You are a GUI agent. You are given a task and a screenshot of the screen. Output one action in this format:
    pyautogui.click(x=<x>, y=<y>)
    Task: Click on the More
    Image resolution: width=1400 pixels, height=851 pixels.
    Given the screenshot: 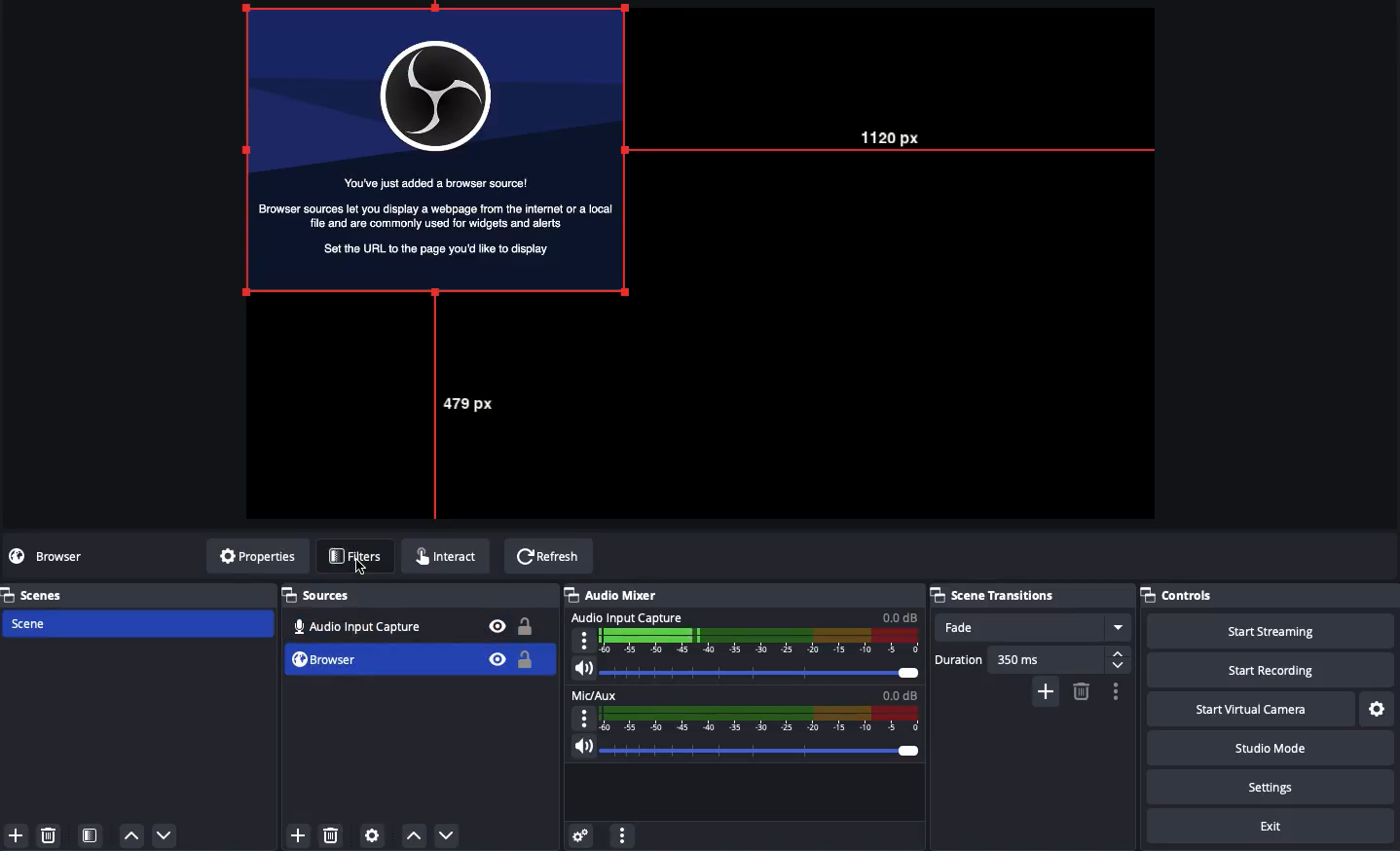 What is the action you would take?
    pyautogui.click(x=627, y=832)
    